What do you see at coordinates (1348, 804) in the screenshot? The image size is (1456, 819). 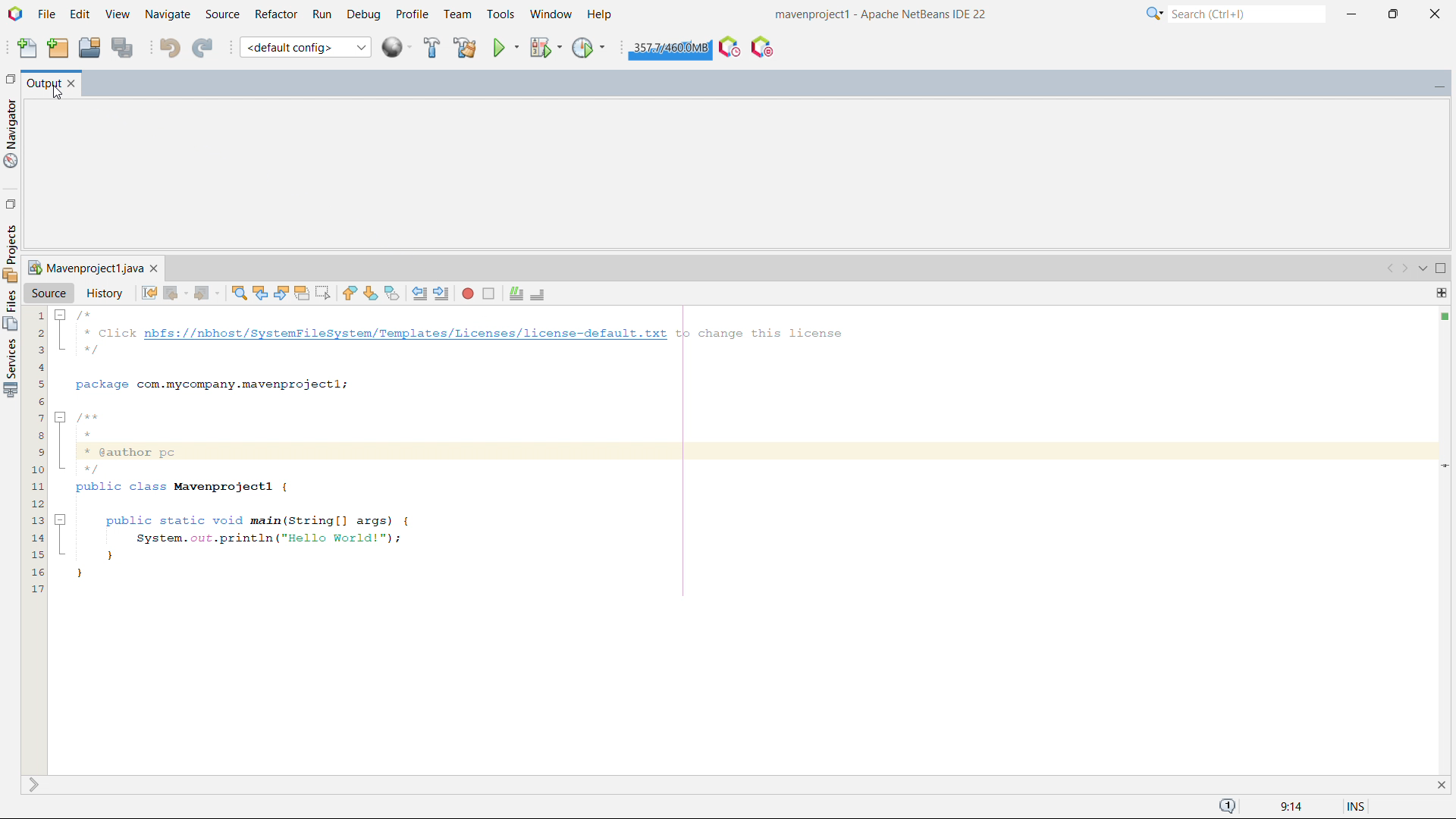 I see `INS` at bounding box center [1348, 804].